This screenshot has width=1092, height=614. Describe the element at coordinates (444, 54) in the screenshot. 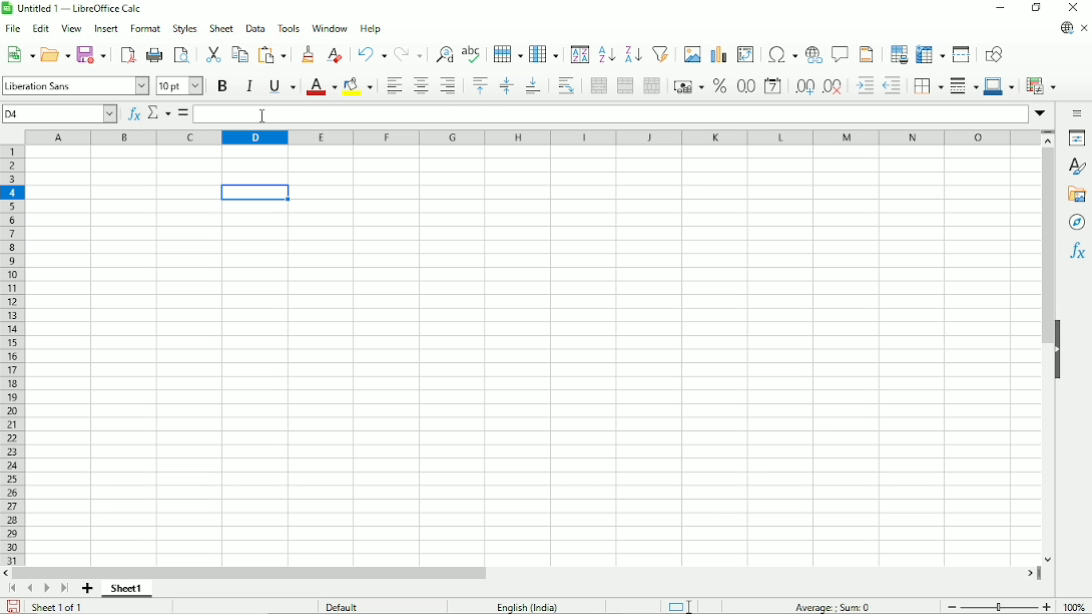

I see `Find and replace` at that location.